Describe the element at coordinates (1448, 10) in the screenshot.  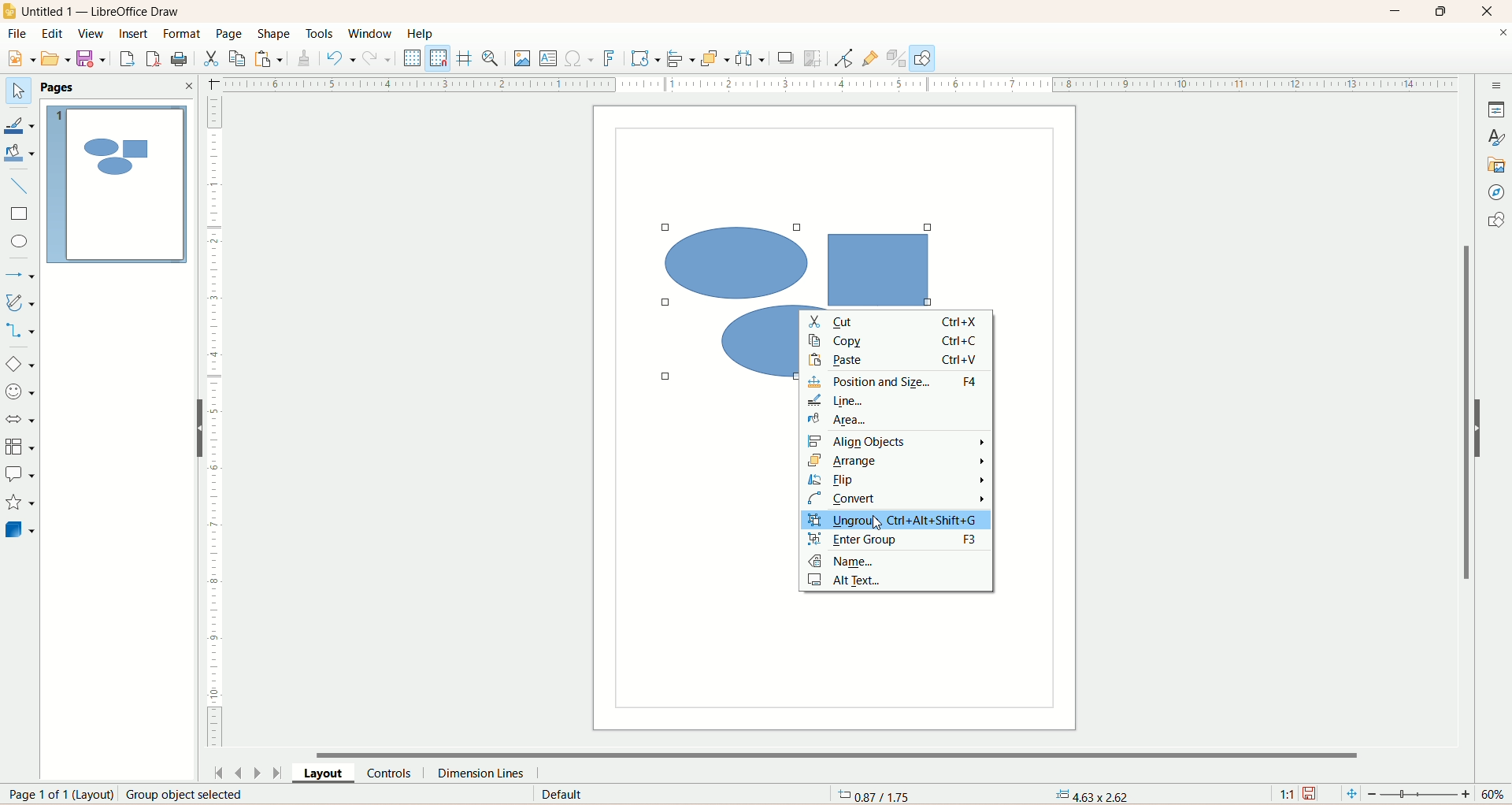
I see `maximize` at that location.